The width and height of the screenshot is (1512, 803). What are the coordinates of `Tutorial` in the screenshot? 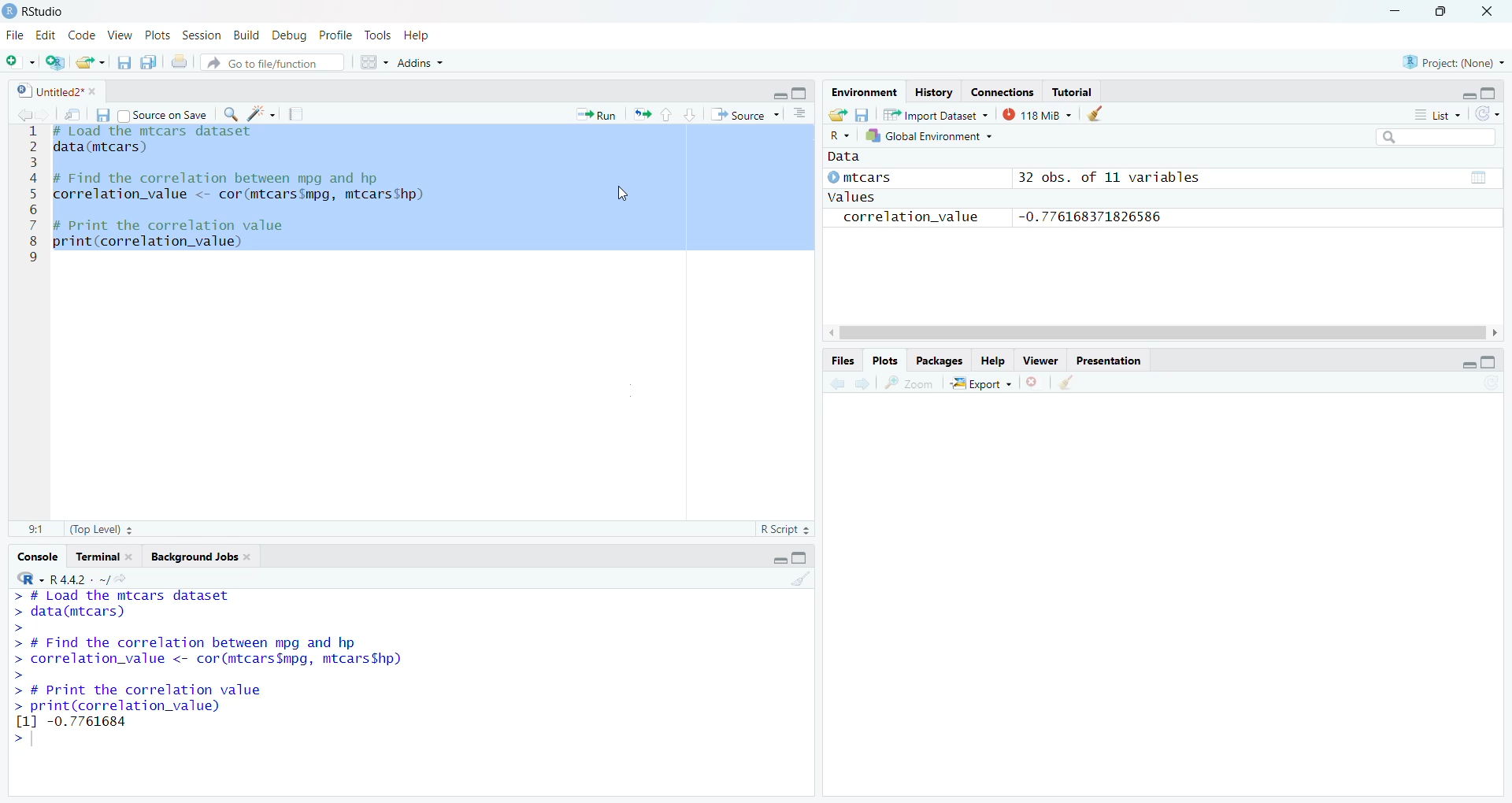 It's located at (1073, 92).